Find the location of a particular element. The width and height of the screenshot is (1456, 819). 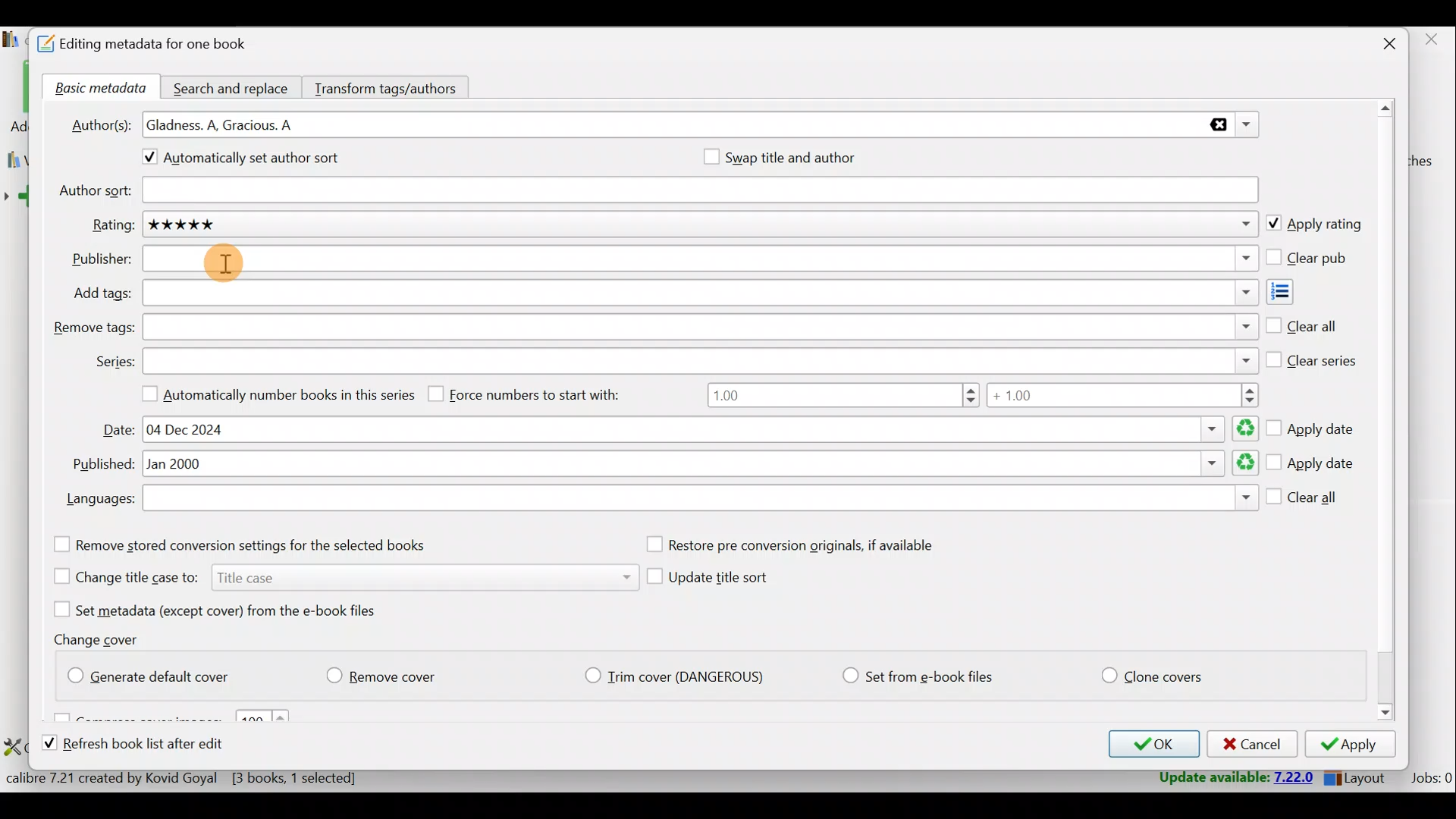

Refresh book list after edit is located at coordinates (147, 745).